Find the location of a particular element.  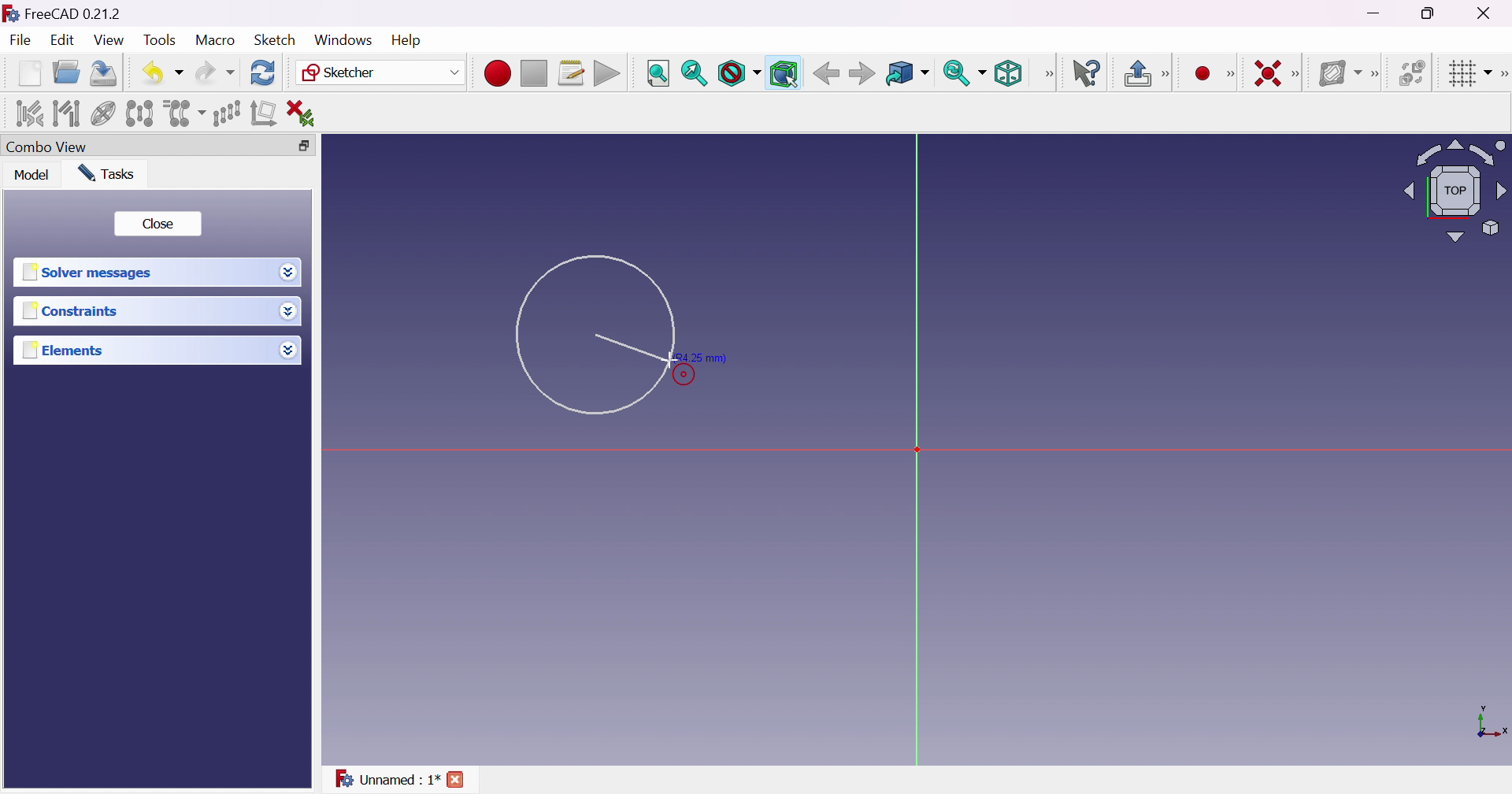

circle is located at coordinates (594, 337).